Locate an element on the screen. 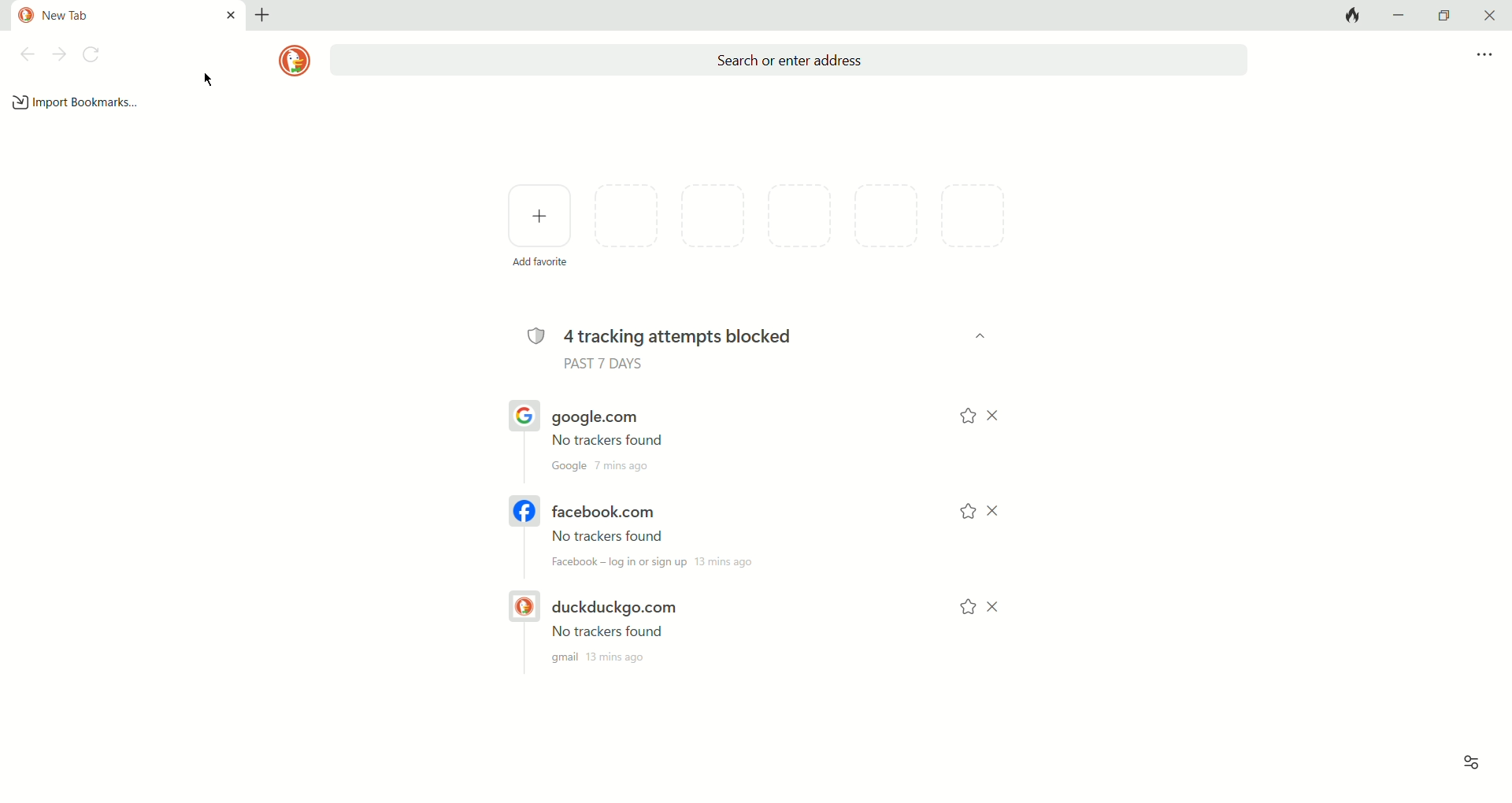  back is located at coordinates (29, 55).